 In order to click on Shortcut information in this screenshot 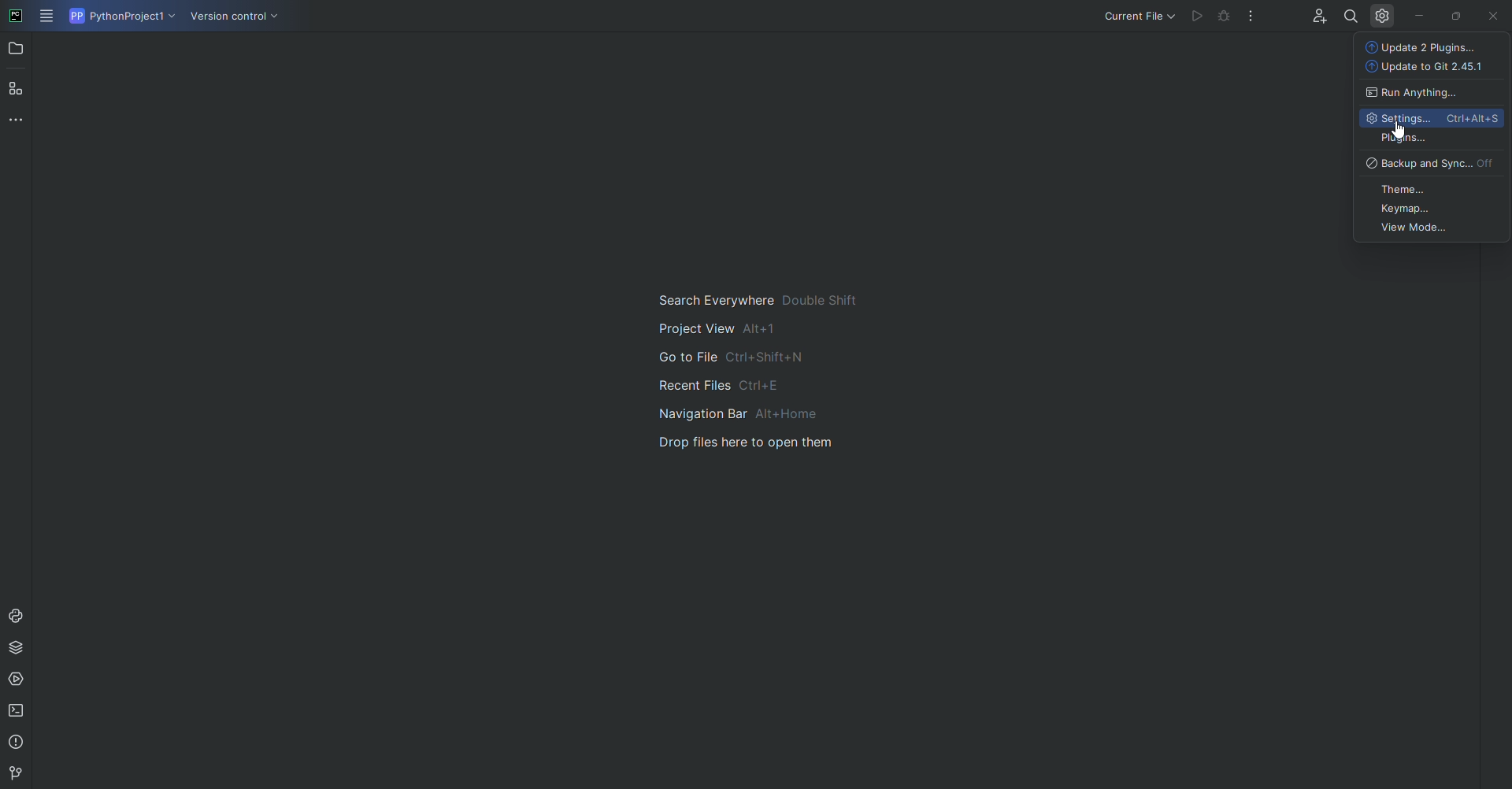, I will do `click(752, 372)`.